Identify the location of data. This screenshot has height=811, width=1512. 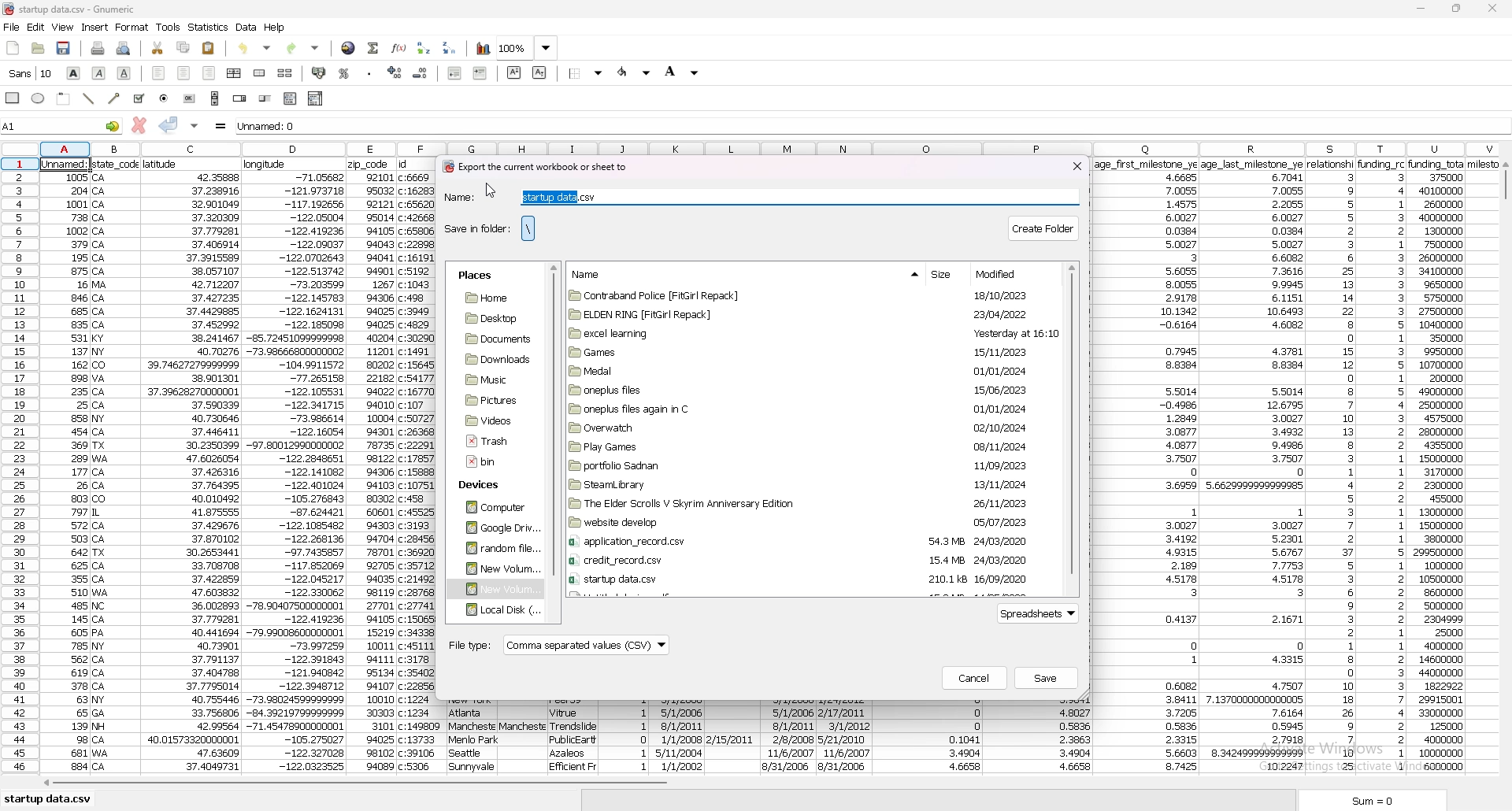
(475, 737).